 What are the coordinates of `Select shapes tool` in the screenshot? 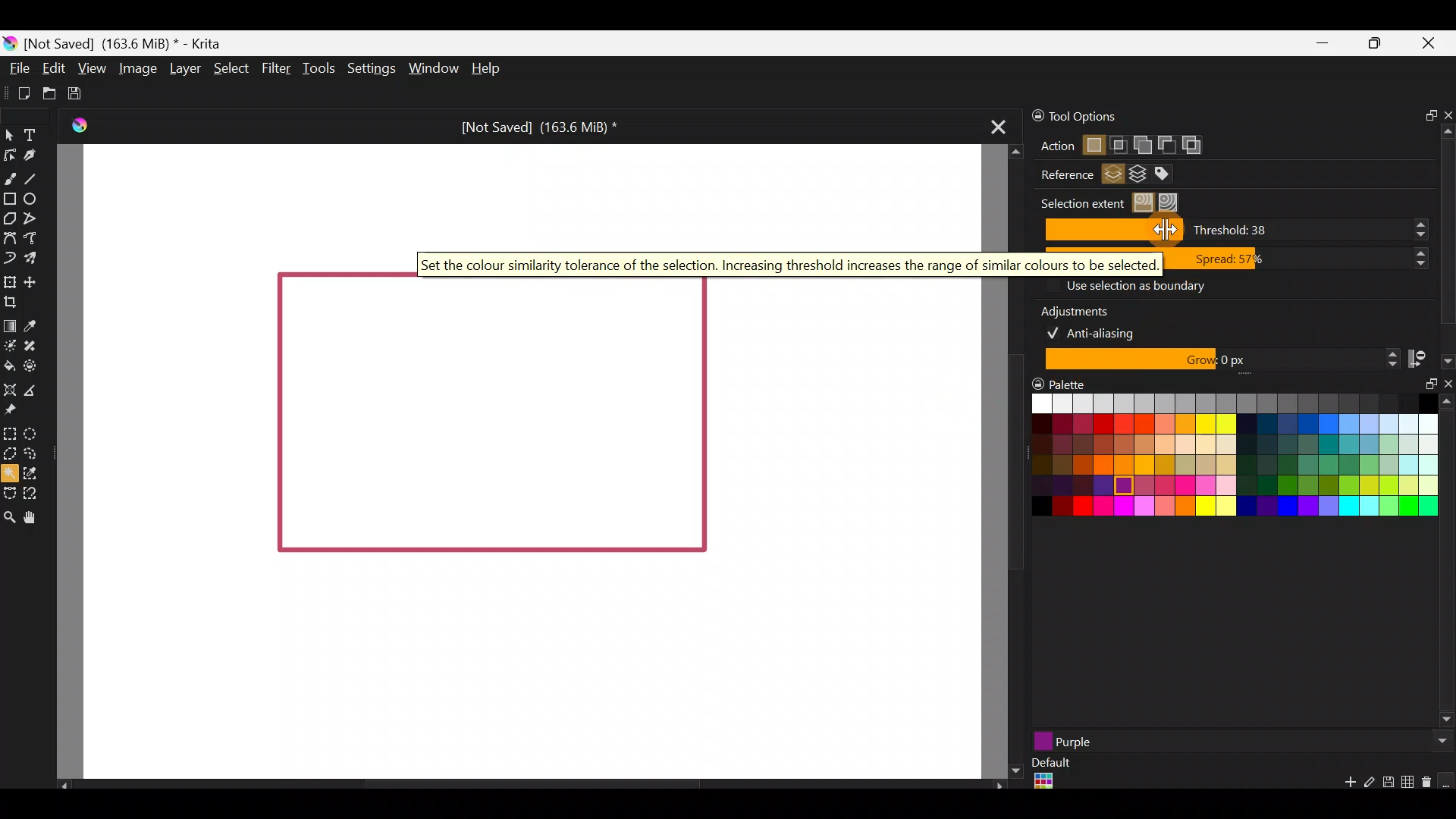 It's located at (12, 137).